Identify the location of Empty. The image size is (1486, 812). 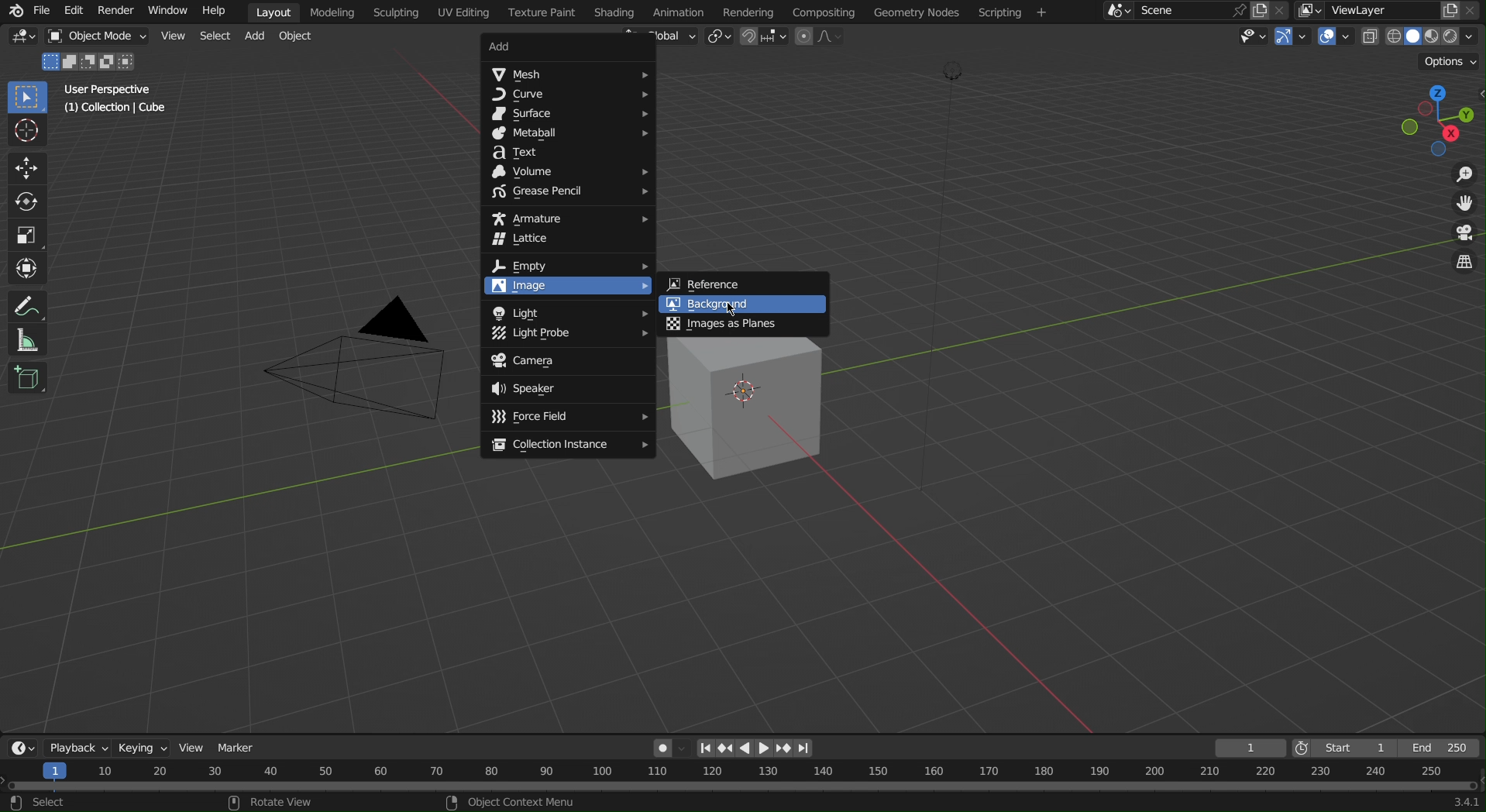
(568, 264).